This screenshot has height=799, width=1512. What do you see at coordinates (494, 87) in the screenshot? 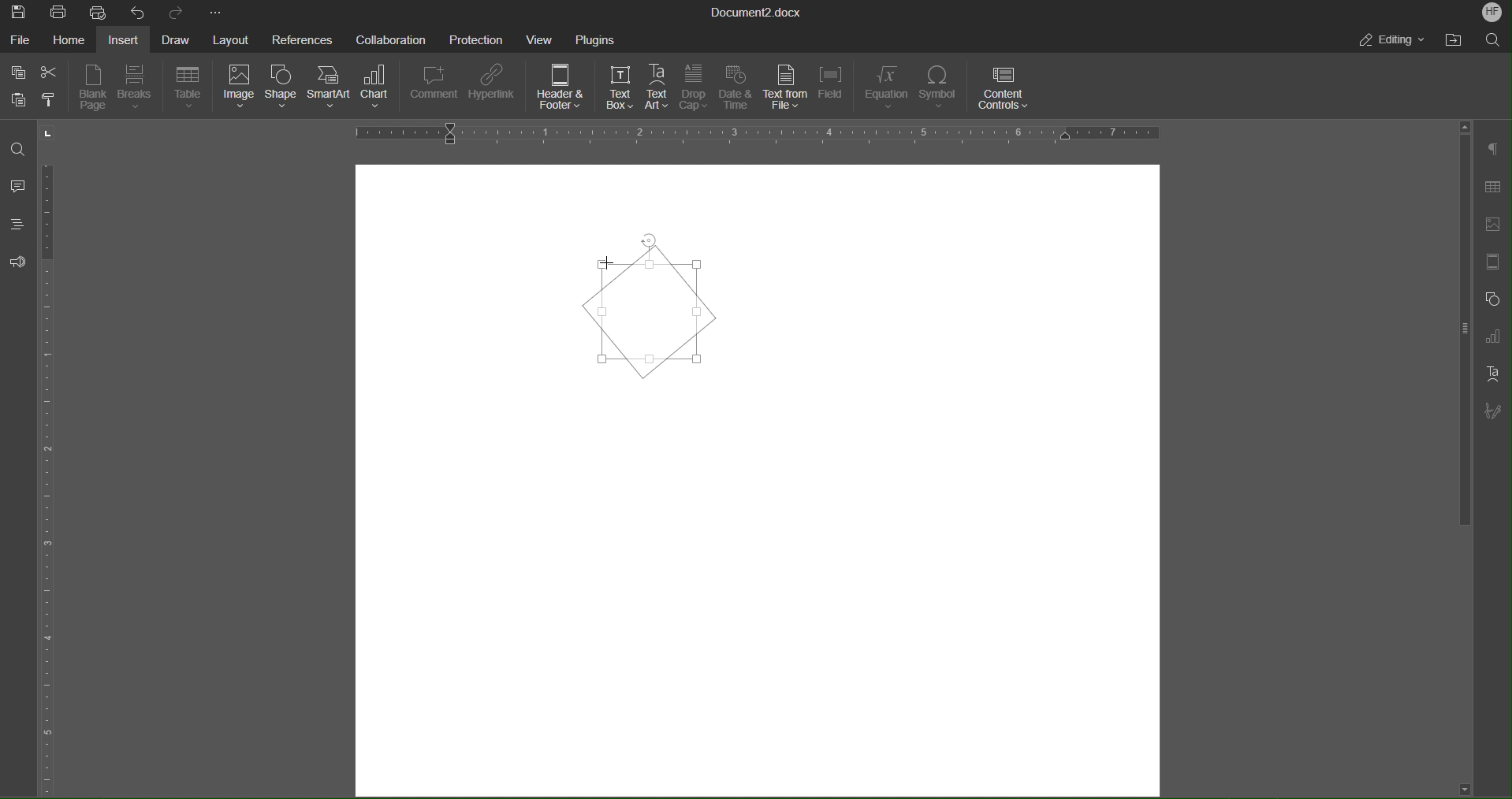
I see `Hyperlink` at bounding box center [494, 87].